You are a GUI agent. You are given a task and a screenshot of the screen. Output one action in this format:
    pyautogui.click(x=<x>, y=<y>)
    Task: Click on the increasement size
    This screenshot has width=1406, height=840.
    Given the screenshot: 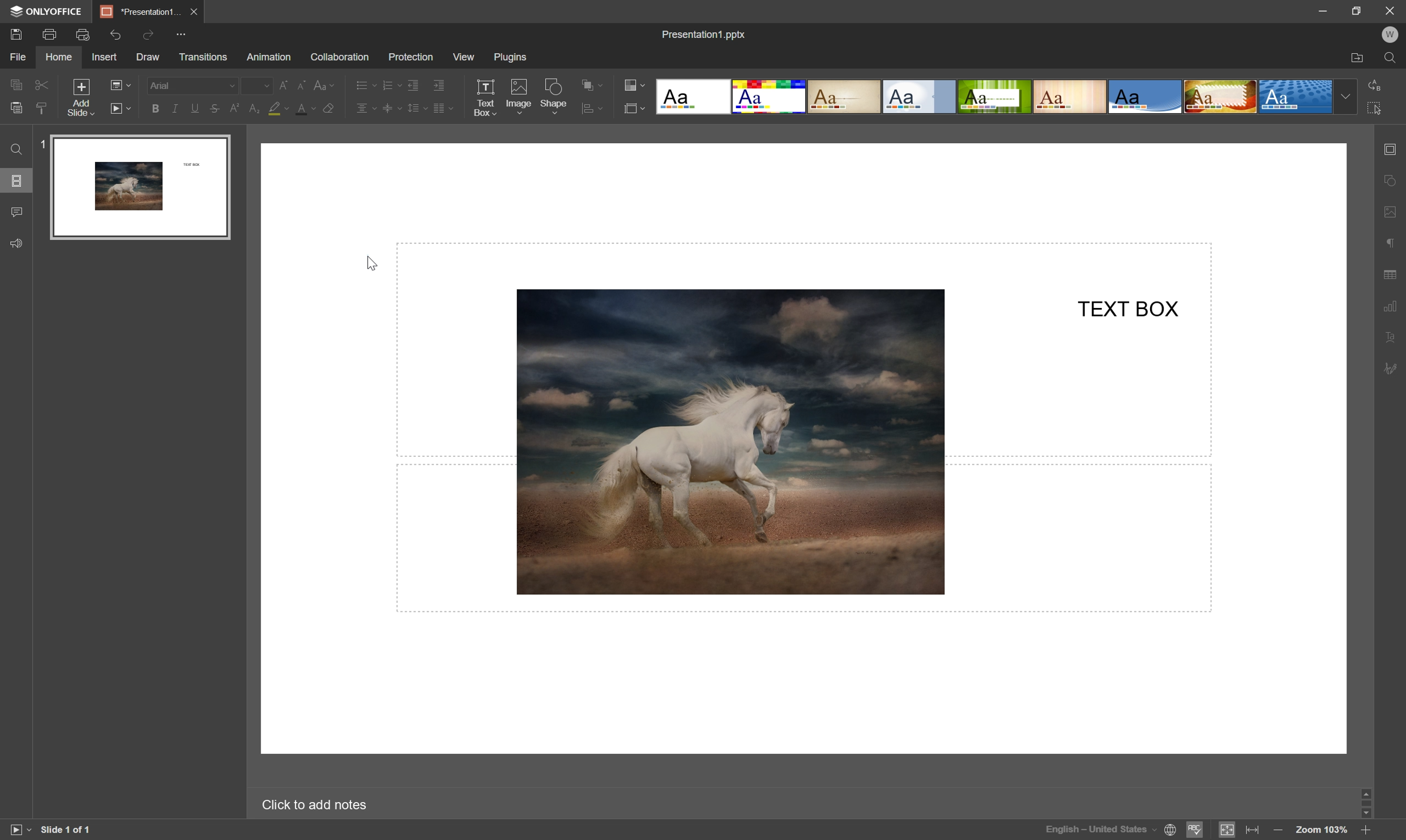 What is the action you would take?
    pyautogui.click(x=286, y=85)
    